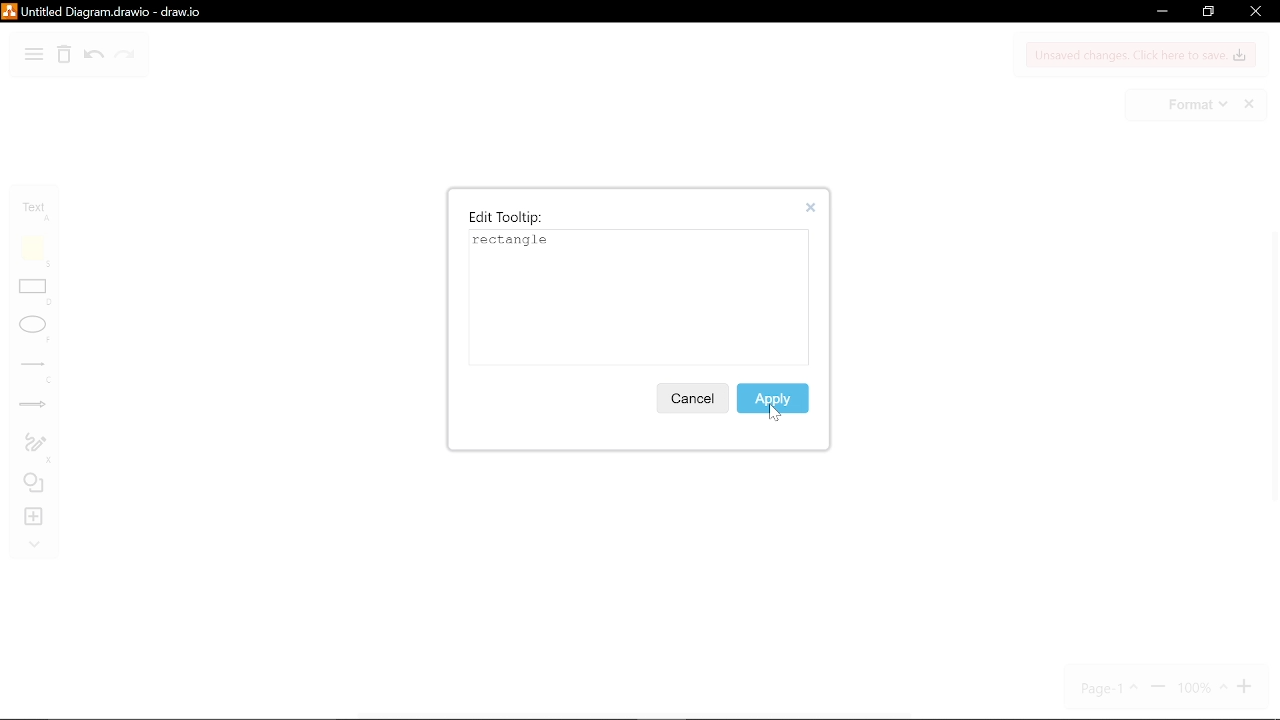 The image size is (1280, 720). Describe the element at coordinates (816, 208) in the screenshot. I see `Close` at that location.